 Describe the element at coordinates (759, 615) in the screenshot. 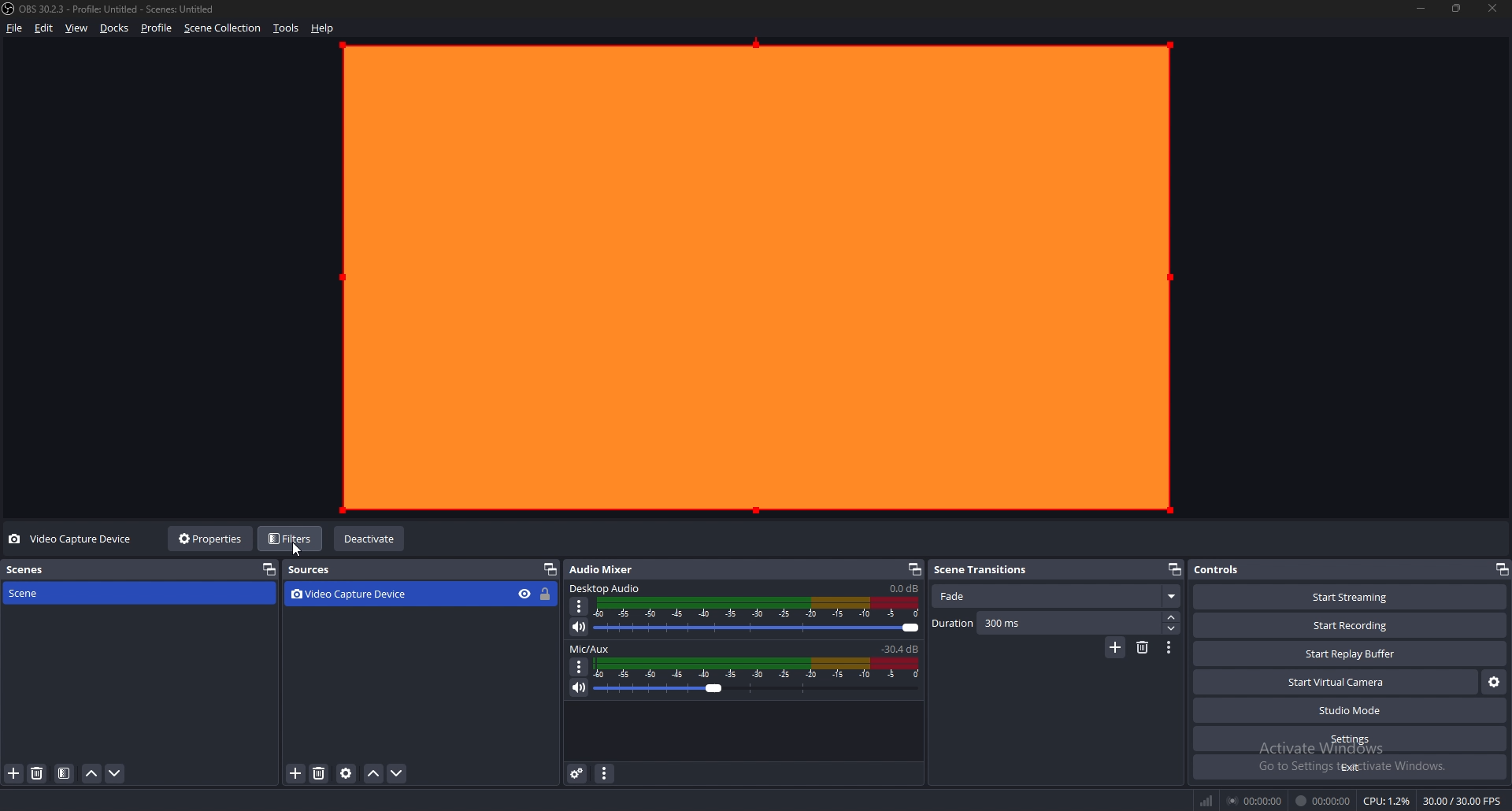

I see `volume adjust` at that location.